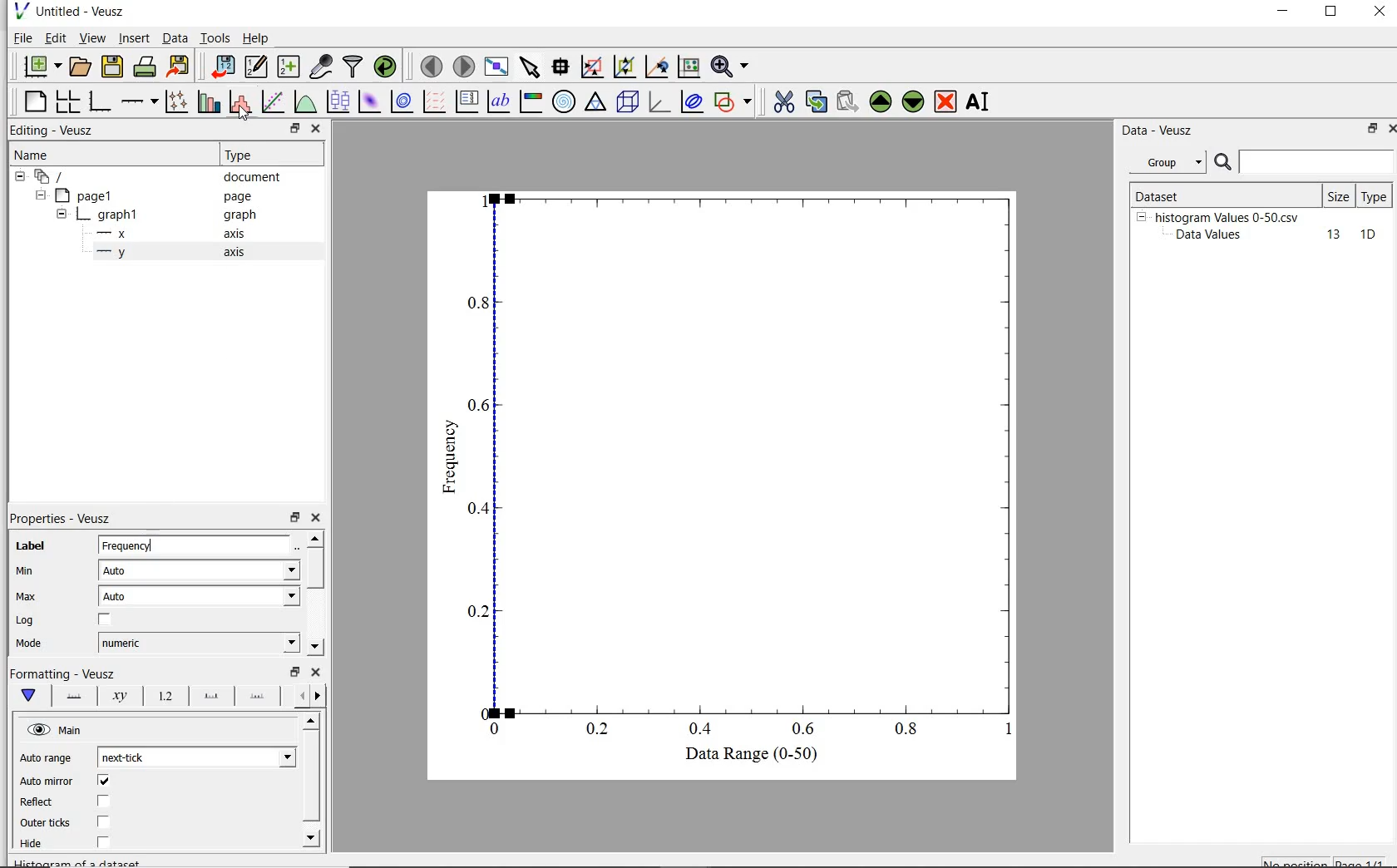 Image resolution: width=1397 pixels, height=868 pixels. I want to click on histogram of a dataset, so click(239, 102).